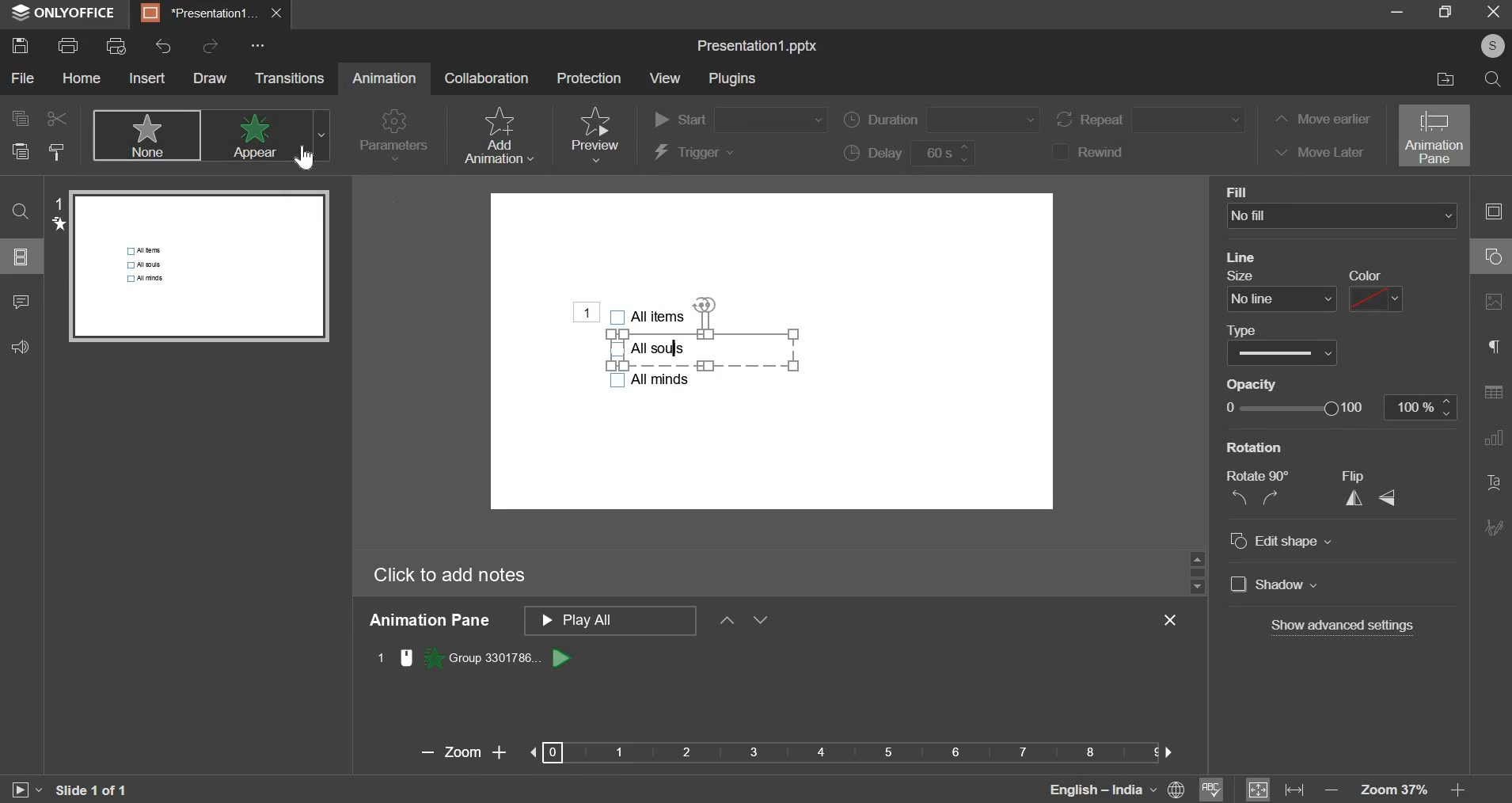  Describe the element at coordinates (1316, 150) in the screenshot. I see `move later` at that location.